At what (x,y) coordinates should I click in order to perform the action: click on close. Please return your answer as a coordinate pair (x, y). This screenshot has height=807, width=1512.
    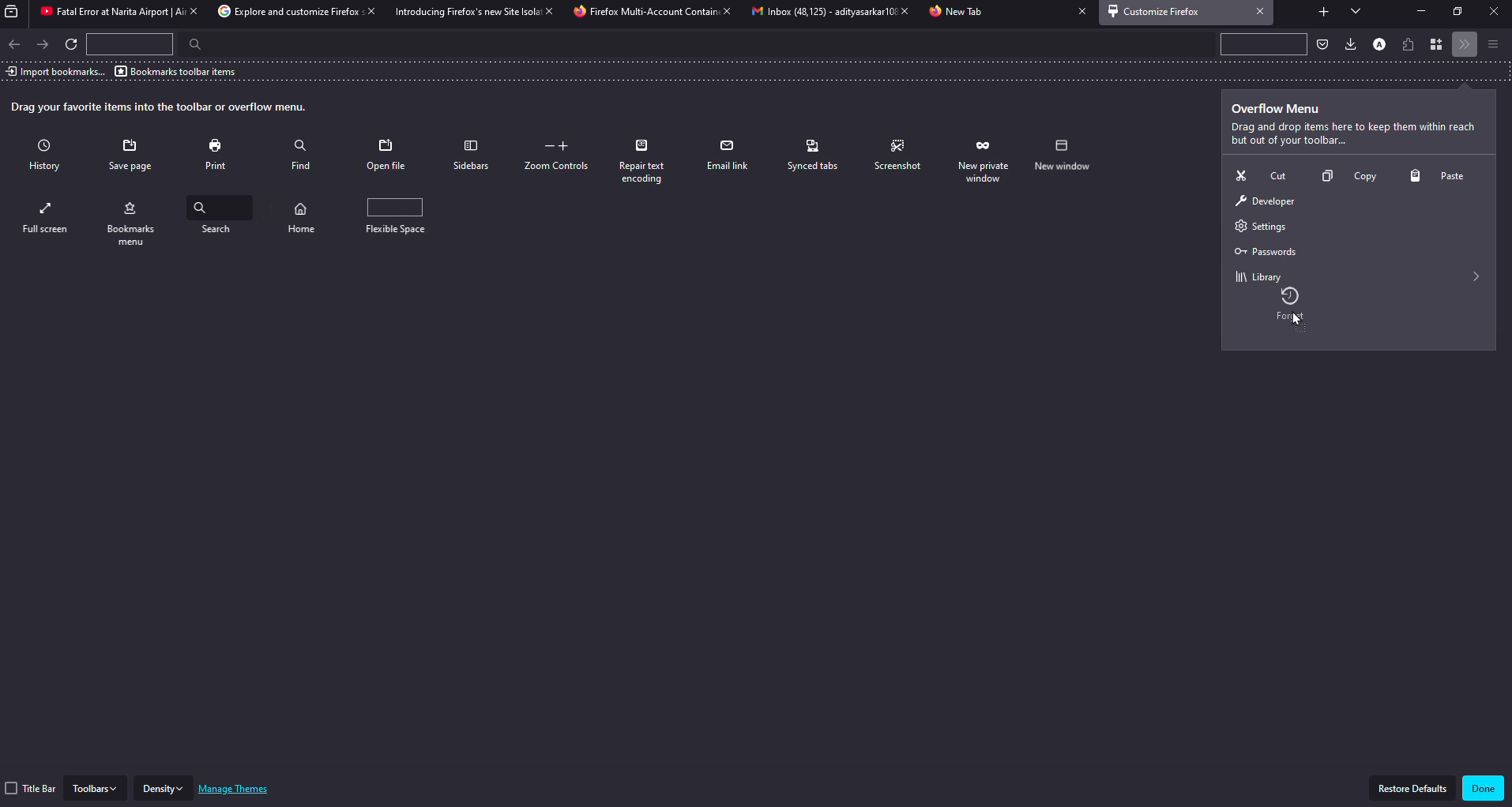
    Looking at the image, I should click on (726, 12).